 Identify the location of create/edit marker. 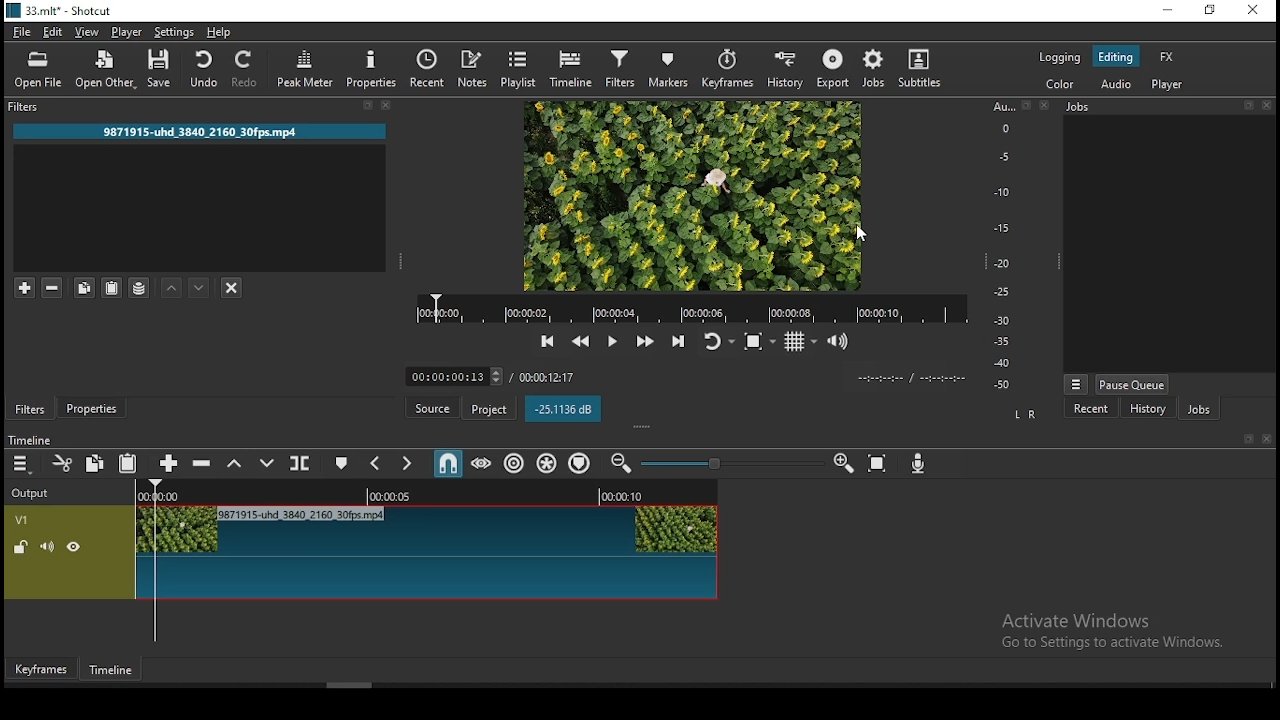
(342, 464).